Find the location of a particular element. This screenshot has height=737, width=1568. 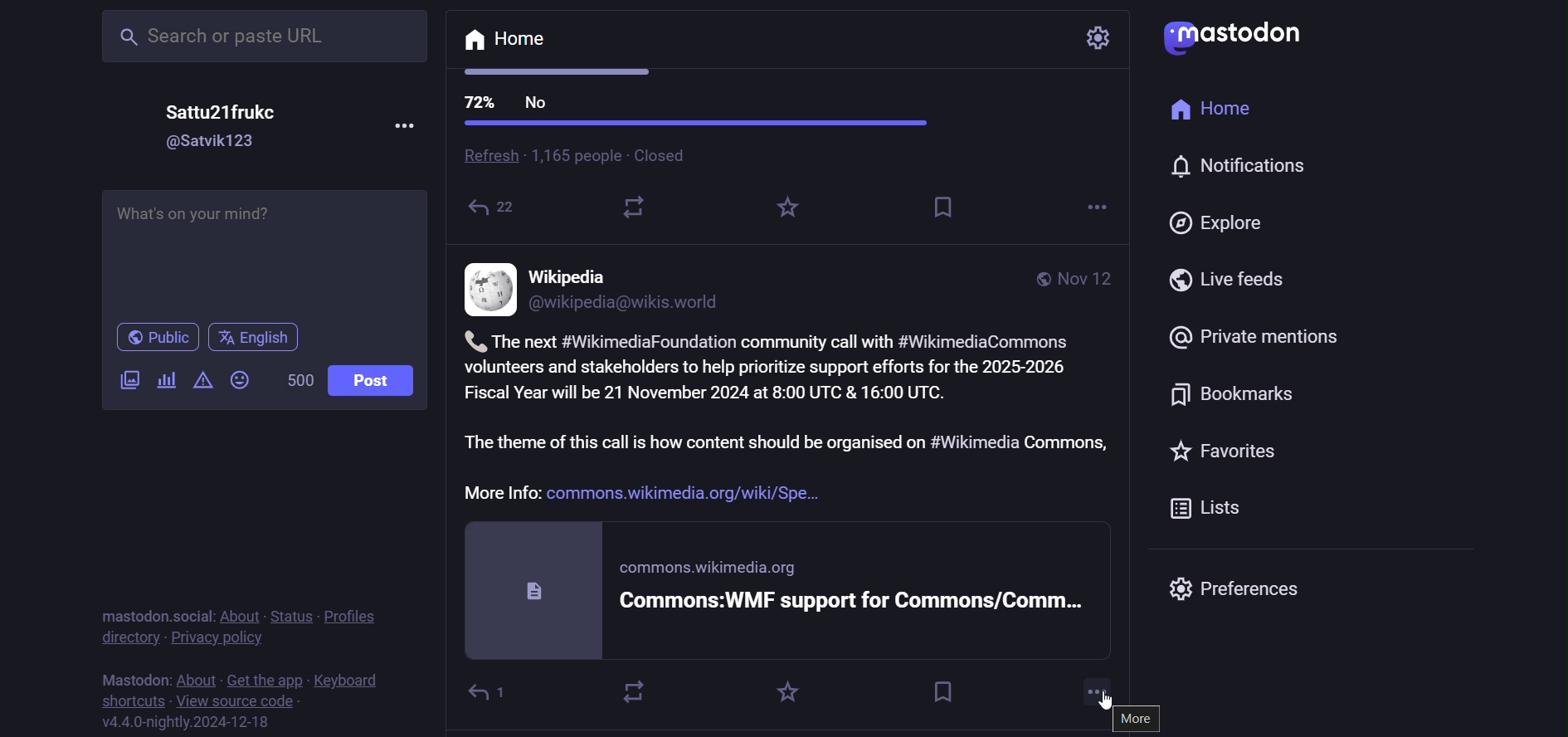

emoji is located at coordinates (239, 381).